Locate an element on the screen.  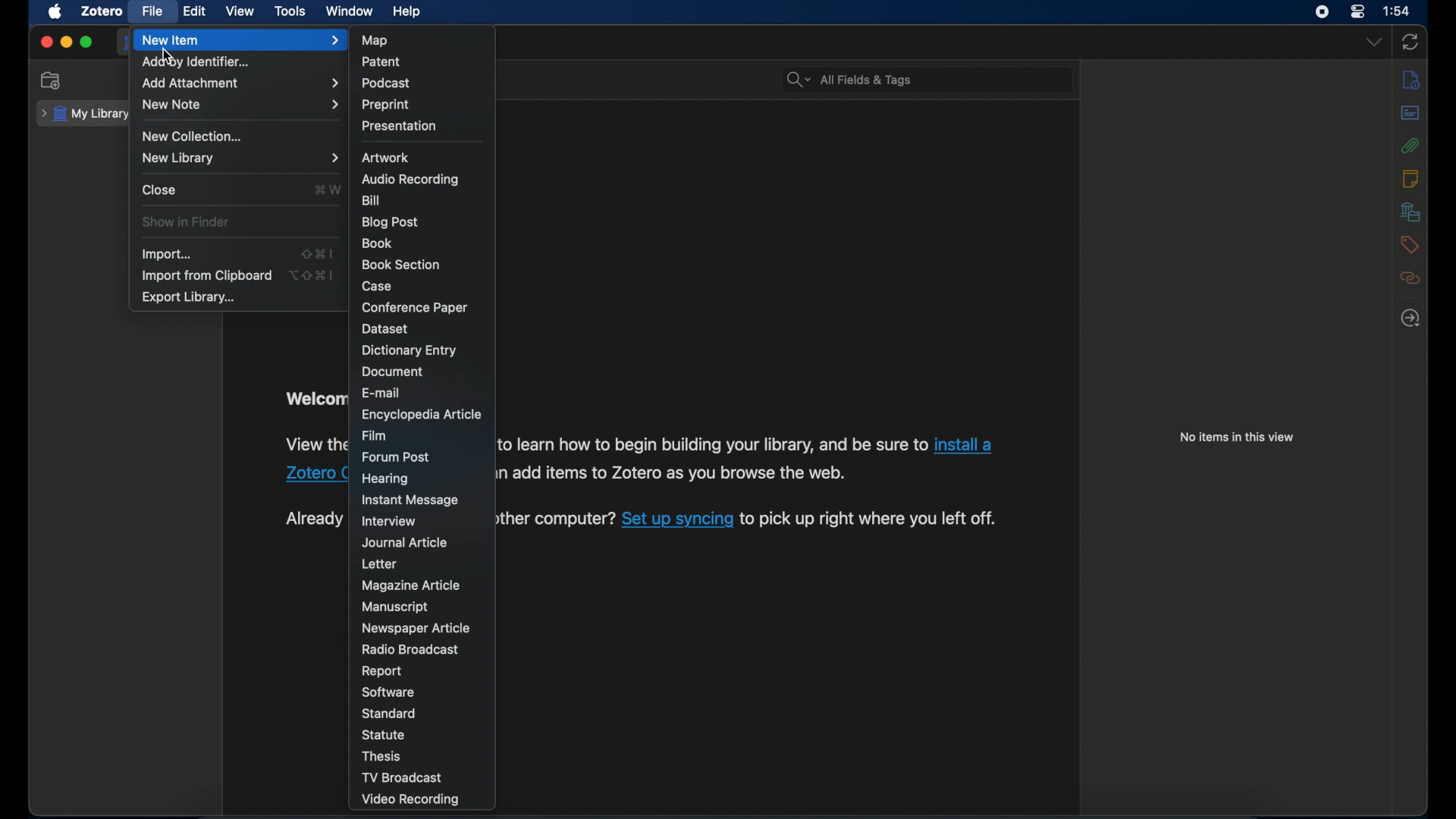
new note is located at coordinates (238, 105).